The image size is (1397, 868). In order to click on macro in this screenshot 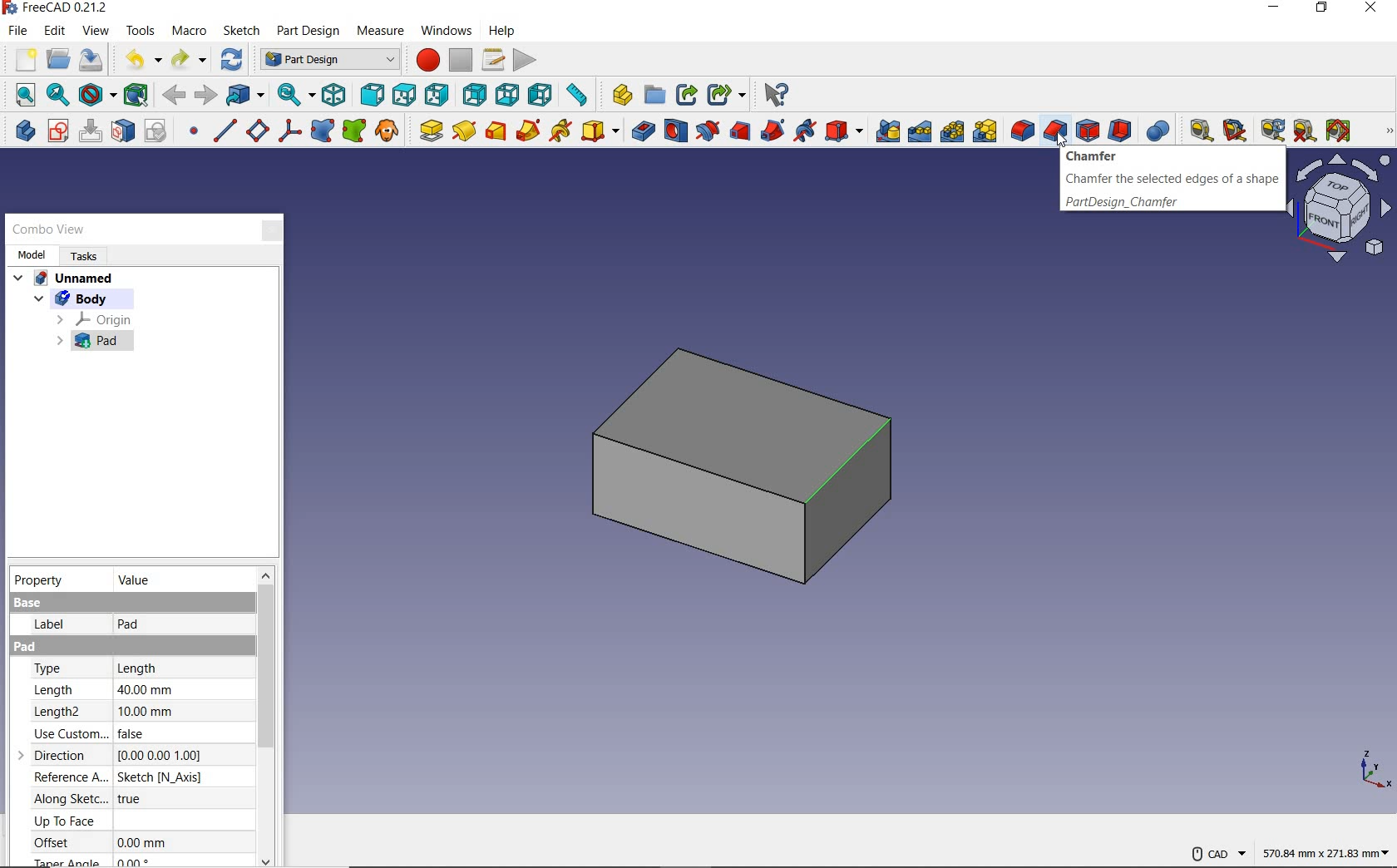, I will do `click(192, 32)`.